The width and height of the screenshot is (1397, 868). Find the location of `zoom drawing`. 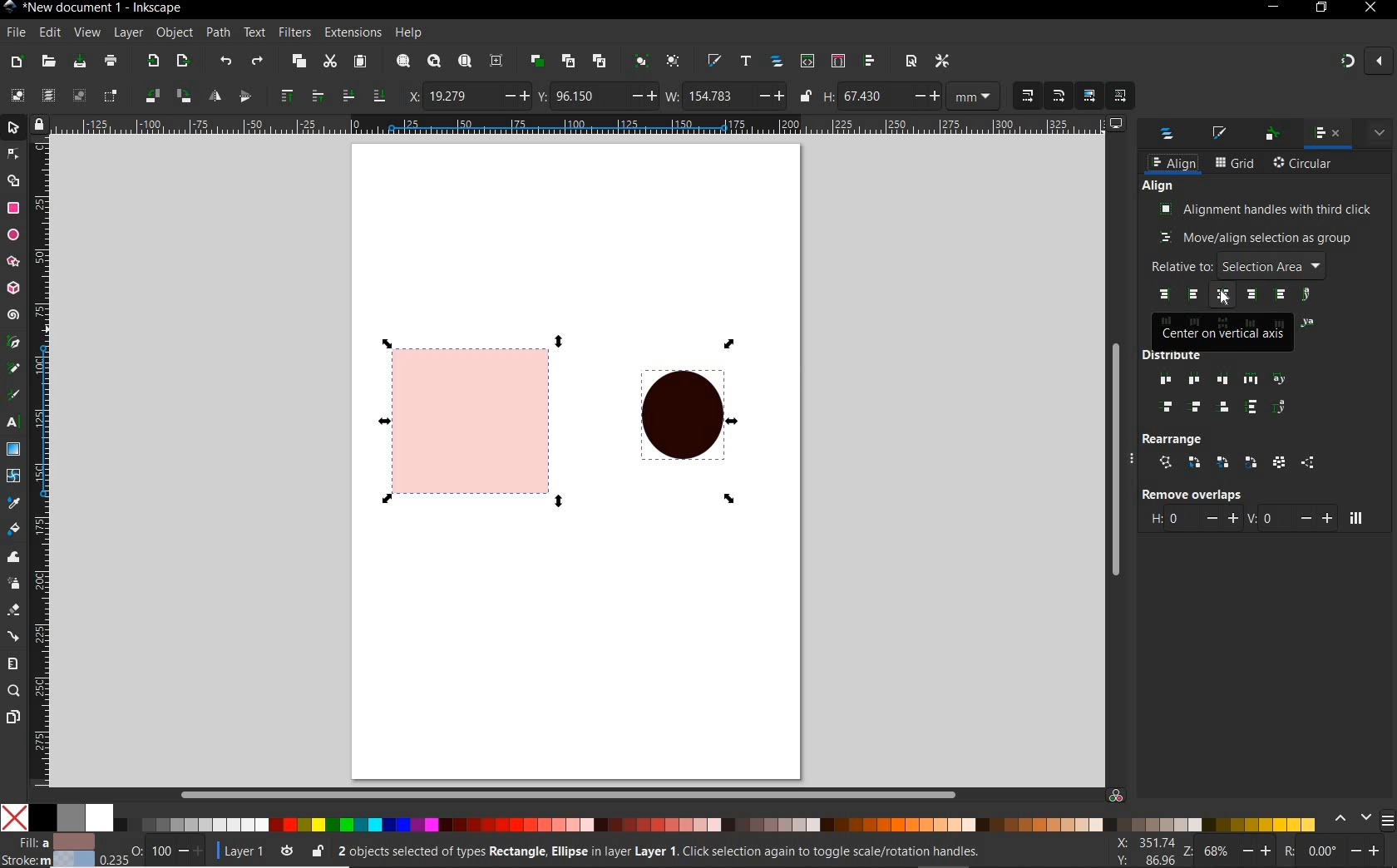

zoom drawing is located at coordinates (435, 61).